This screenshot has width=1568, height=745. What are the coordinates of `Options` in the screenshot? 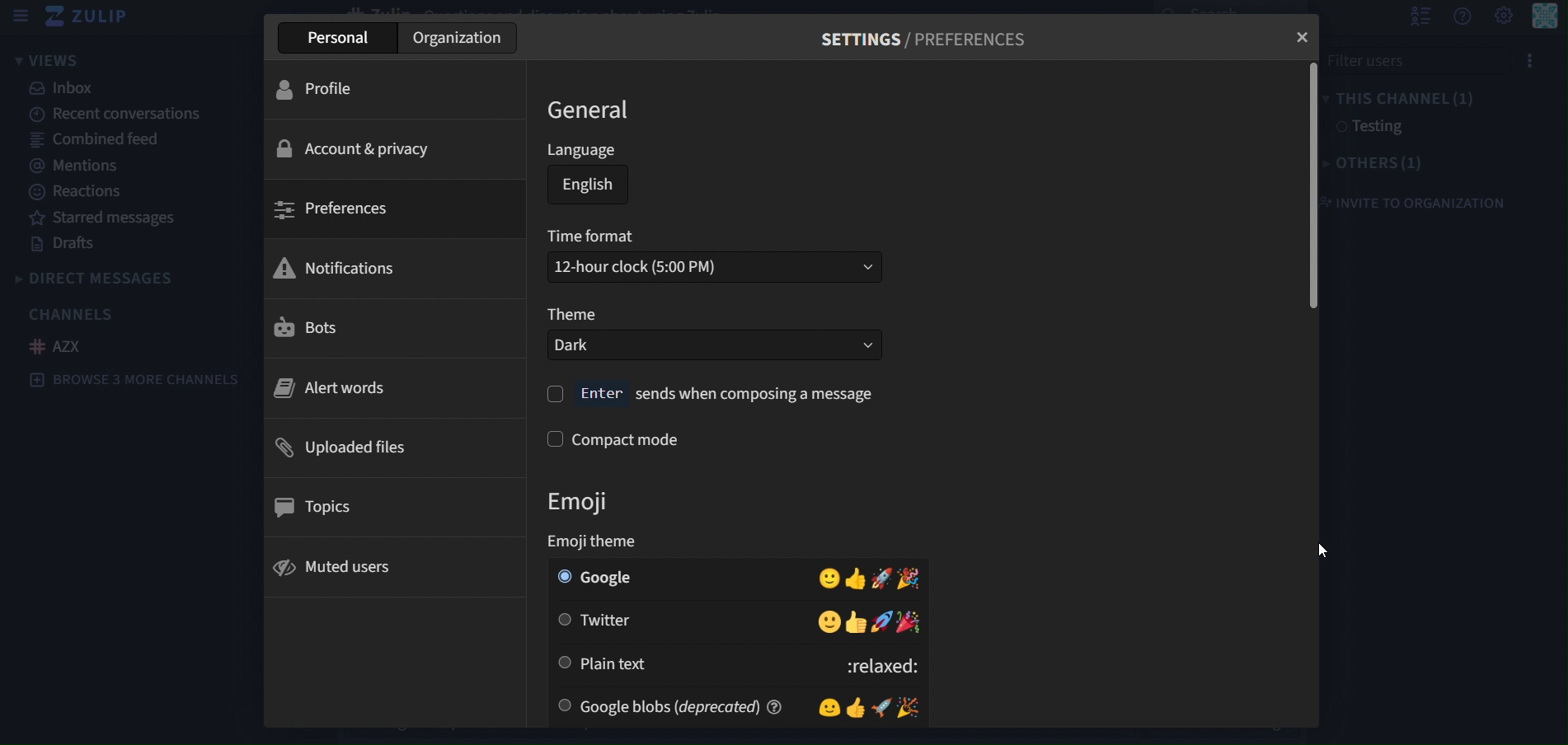 It's located at (1530, 61).